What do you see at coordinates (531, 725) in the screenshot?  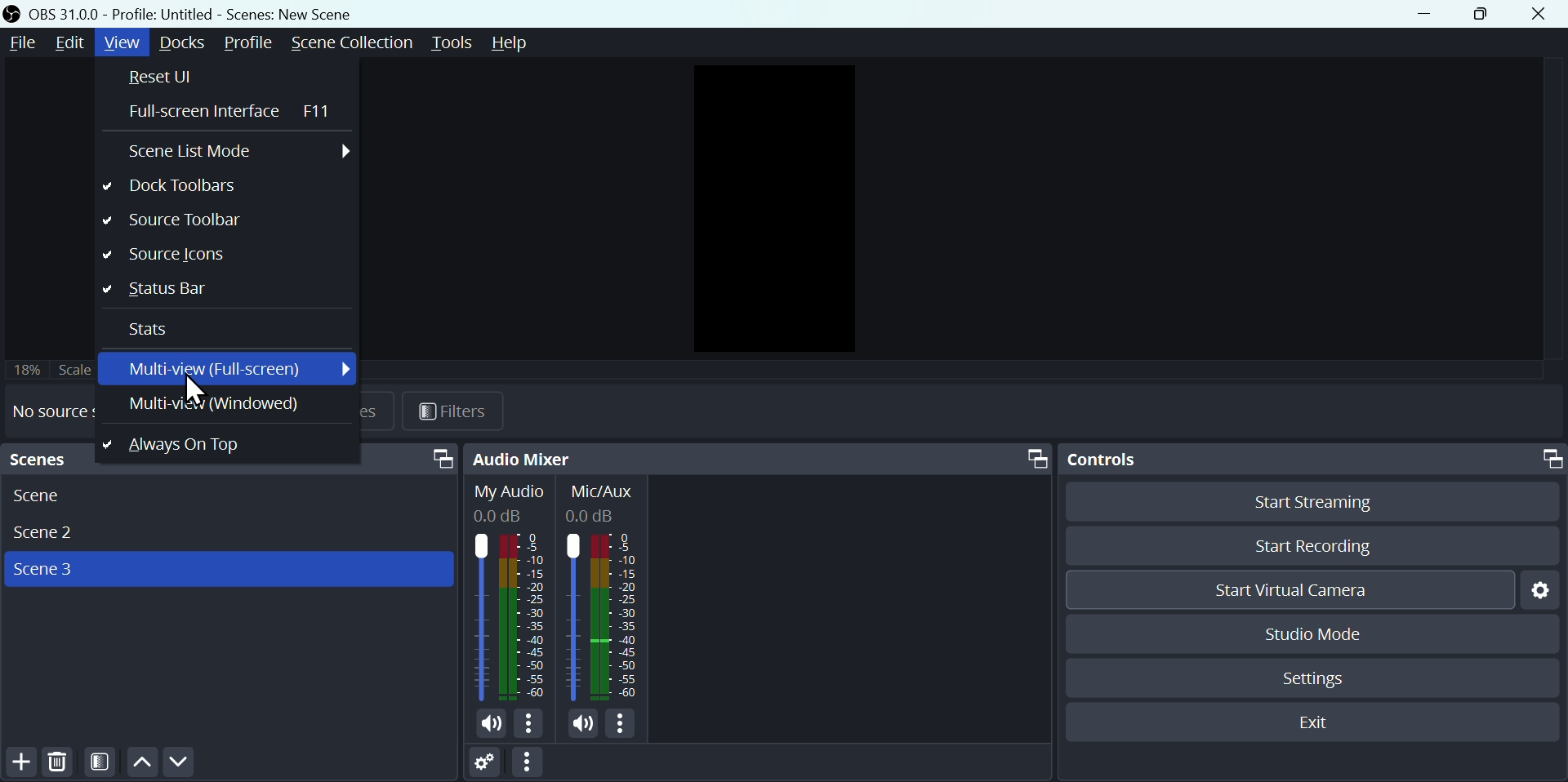 I see `More options` at bounding box center [531, 725].